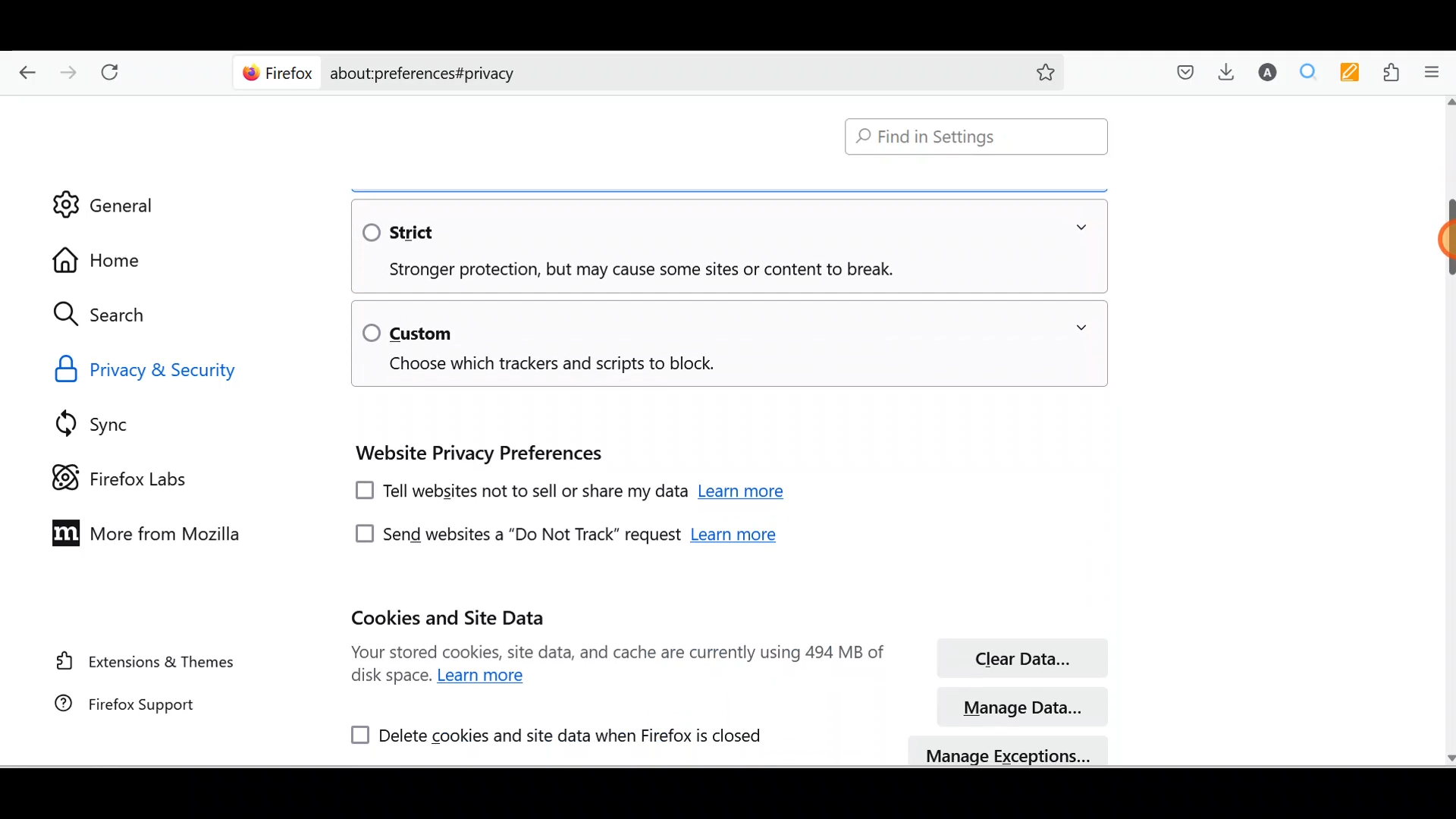 The height and width of the screenshot is (819, 1456). I want to click on More from Mozilla, so click(151, 539).